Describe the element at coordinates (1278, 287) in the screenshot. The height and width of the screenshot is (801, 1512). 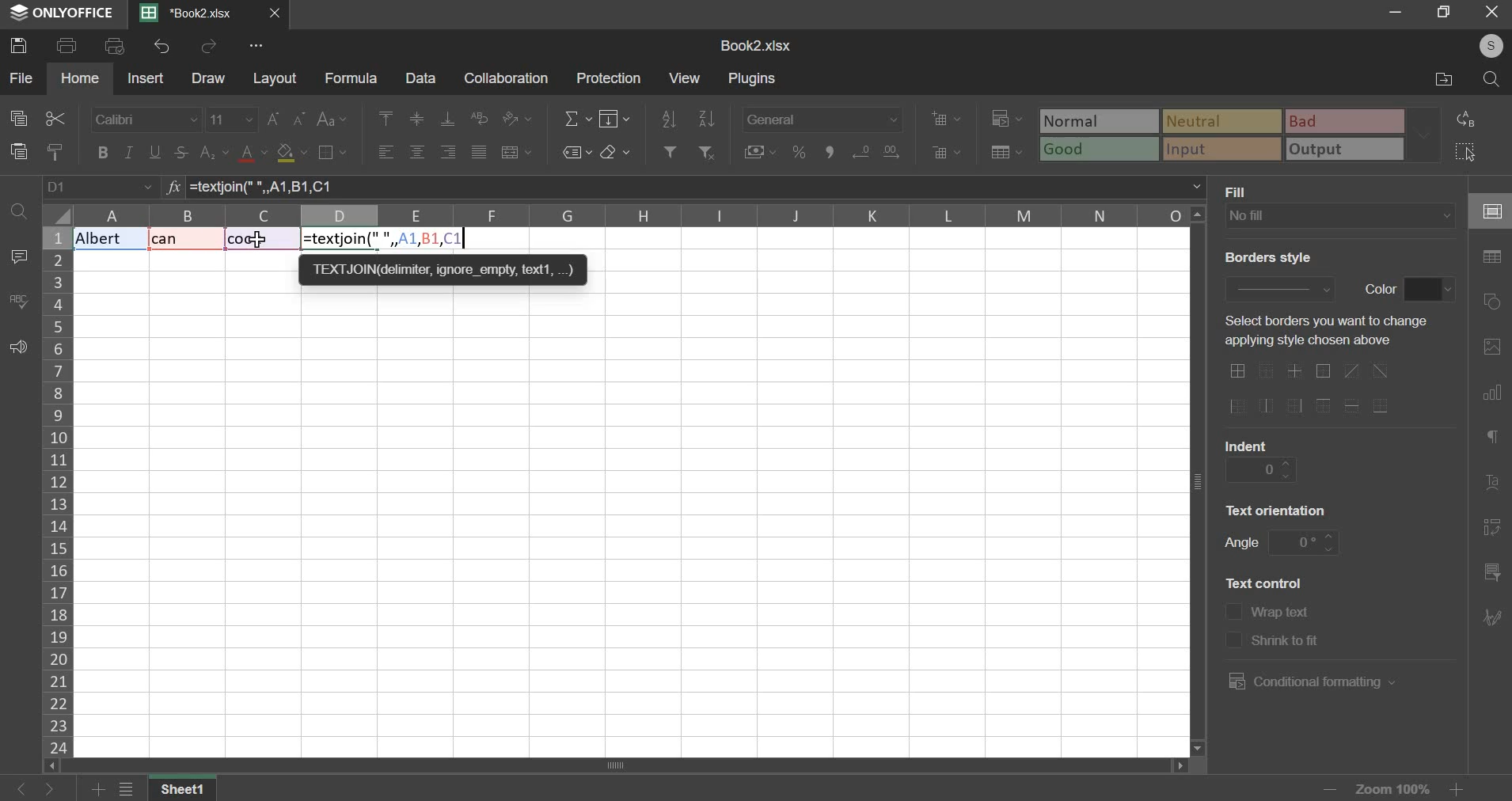
I see `border style` at that location.